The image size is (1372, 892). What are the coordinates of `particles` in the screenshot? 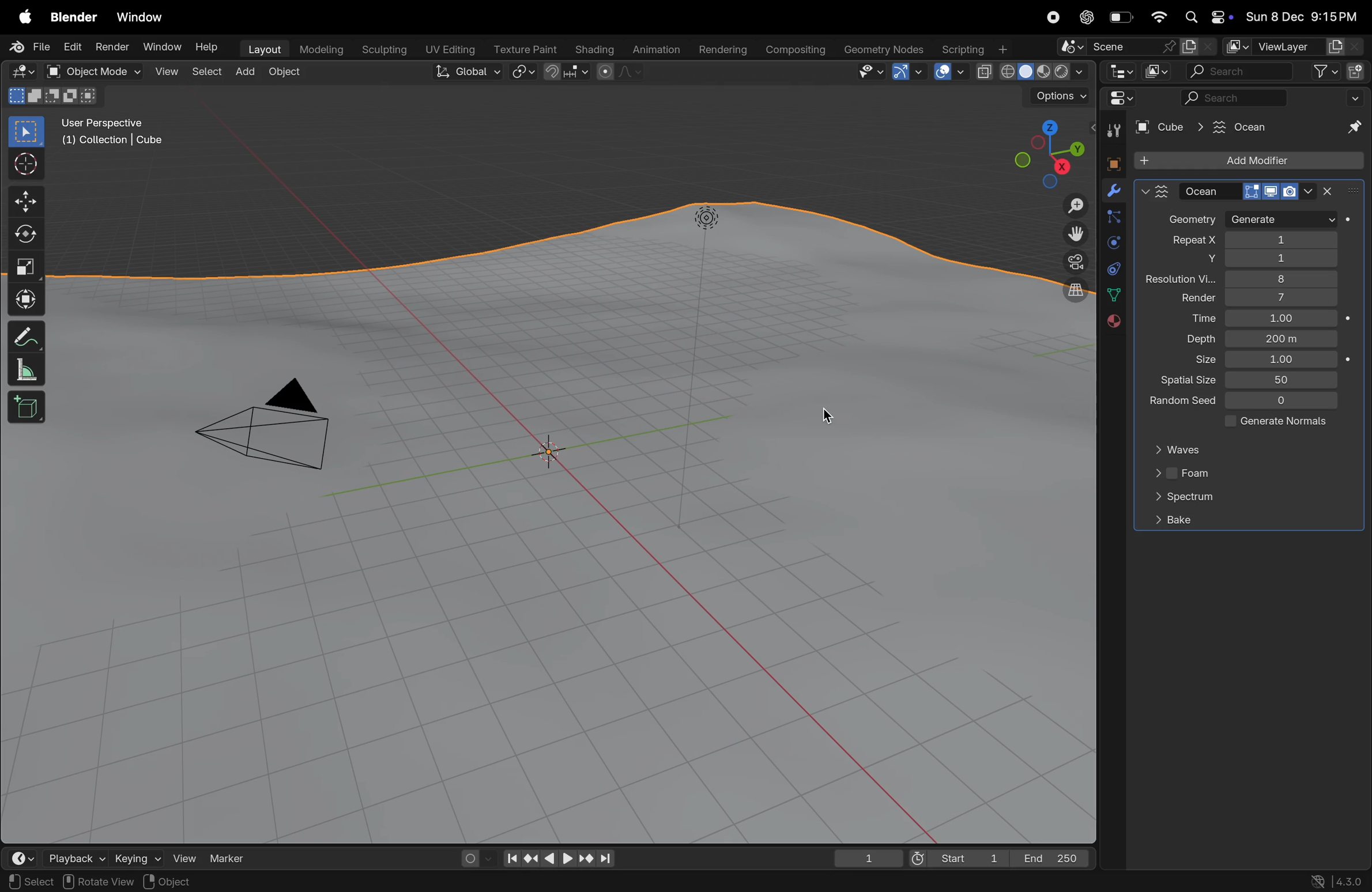 It's located at (1113, 219).